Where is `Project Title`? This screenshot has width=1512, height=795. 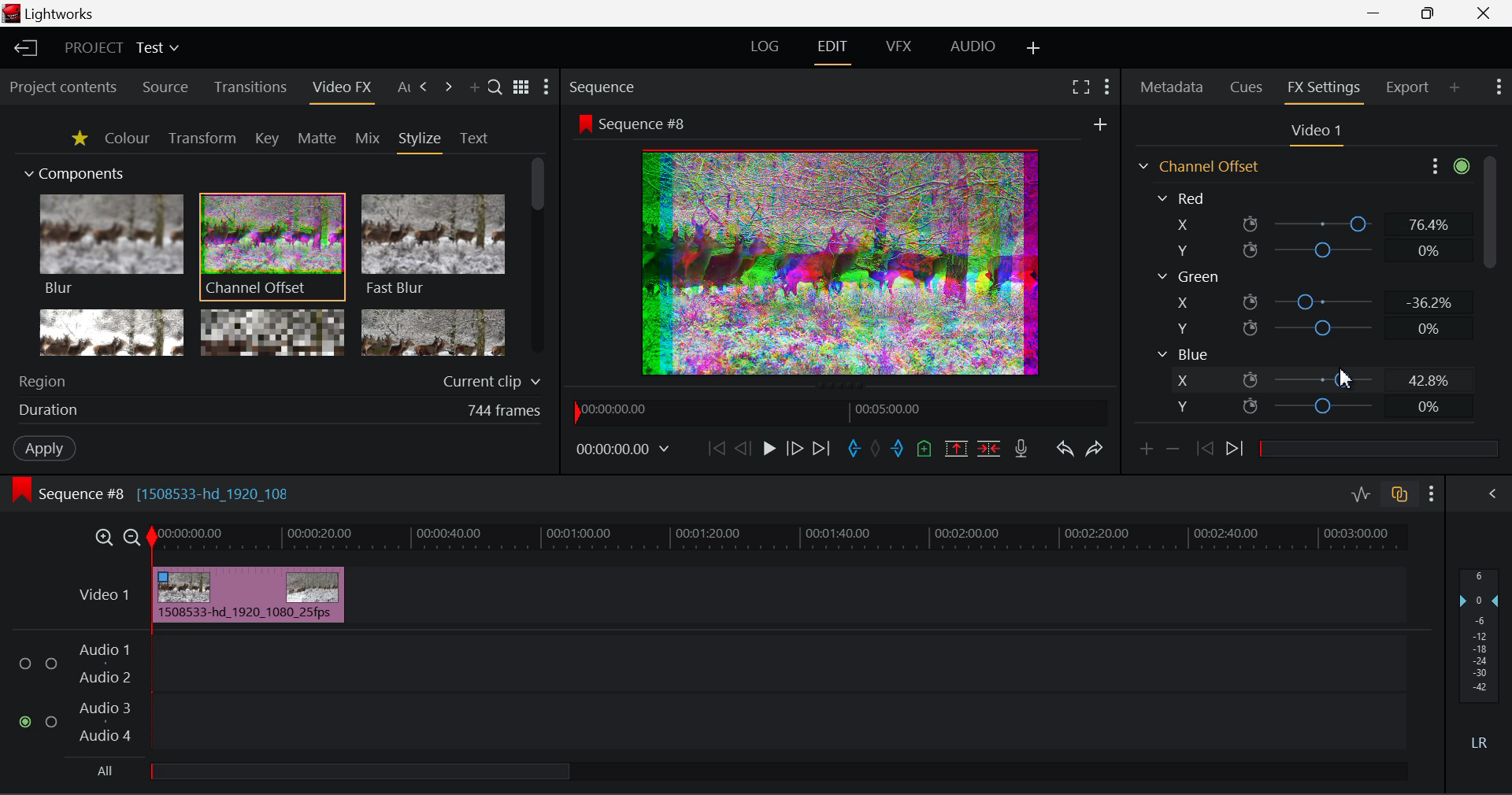
Project Title is located at coordinates (121, 46).